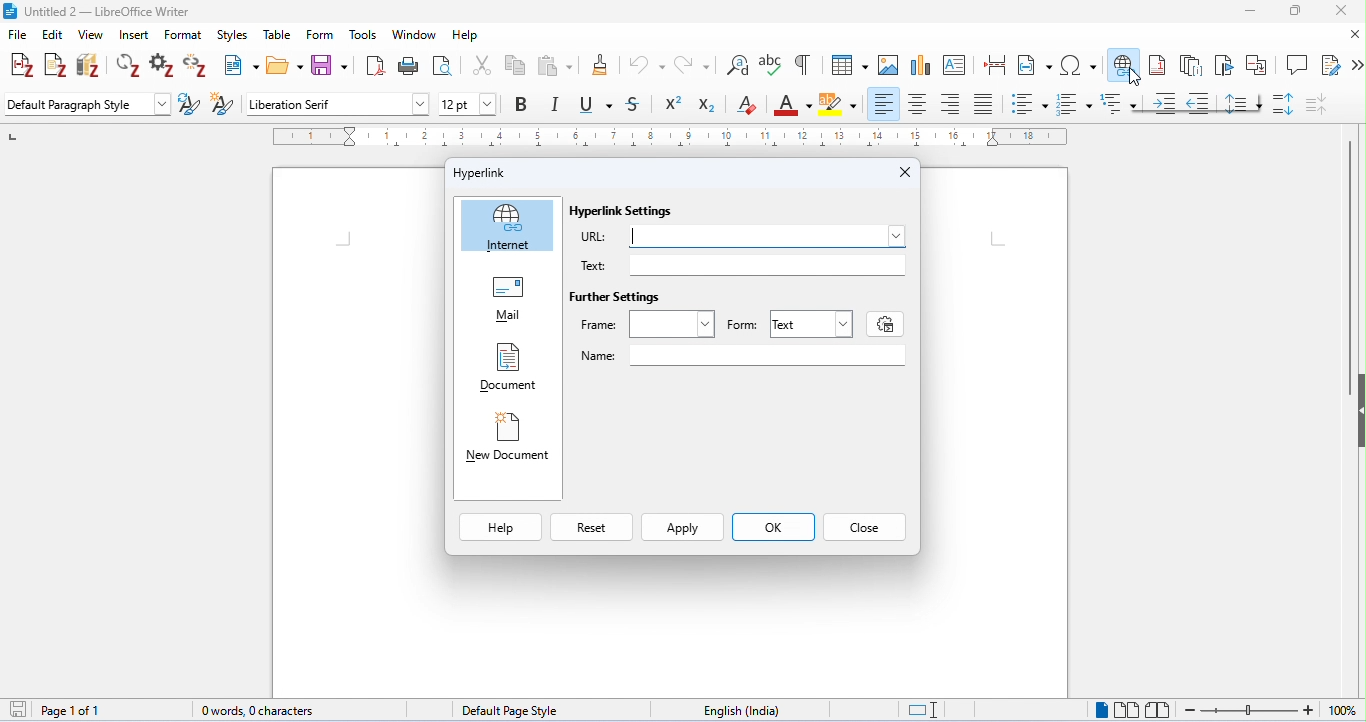 Image resolution: width=1366 pixels, height=722 pixels. Describe the element at coordinates (776, 525) in the screenshot. I see `ok` at that location.